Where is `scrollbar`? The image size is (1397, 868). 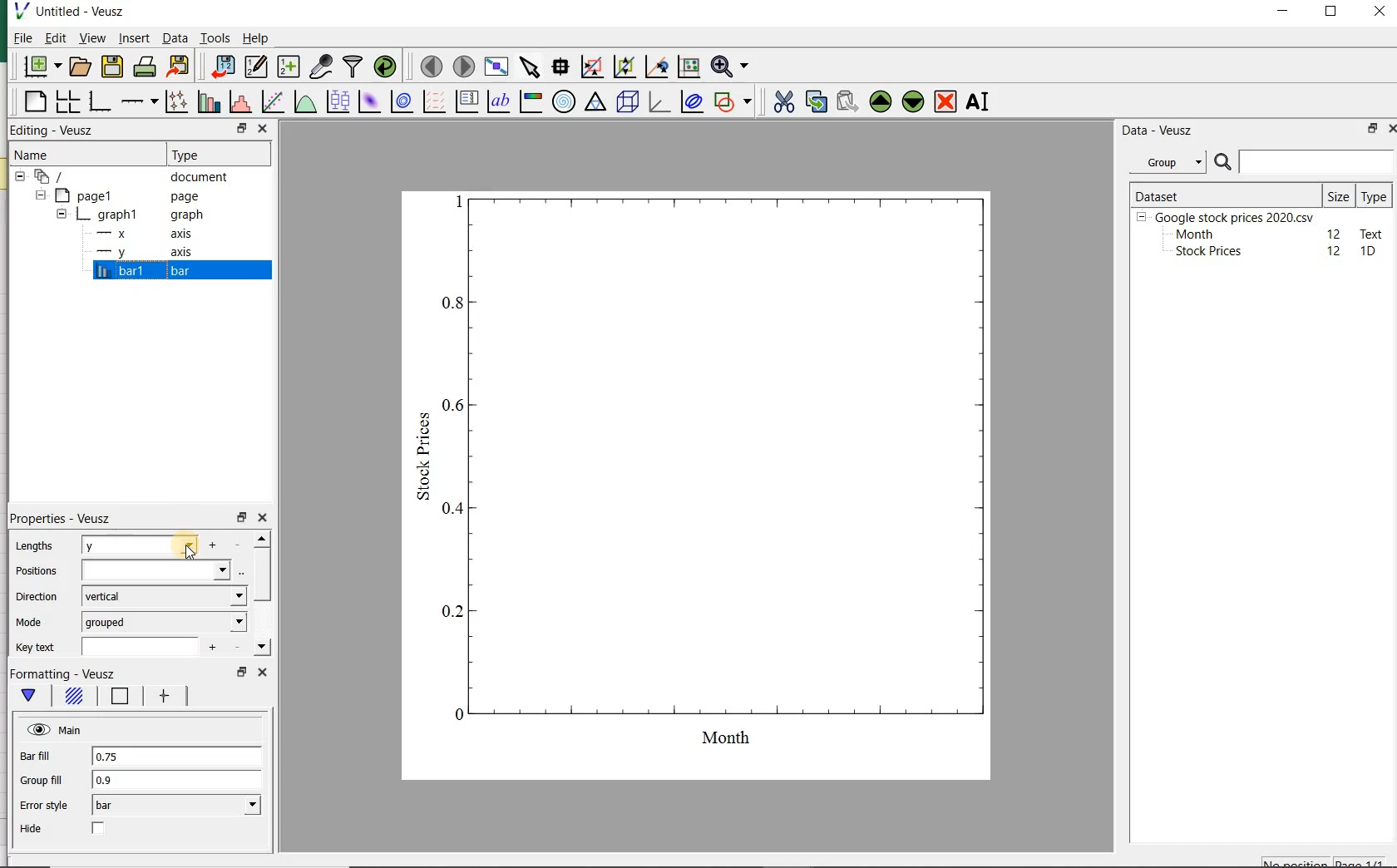 scrollbar is located at coordinates (261, 595).